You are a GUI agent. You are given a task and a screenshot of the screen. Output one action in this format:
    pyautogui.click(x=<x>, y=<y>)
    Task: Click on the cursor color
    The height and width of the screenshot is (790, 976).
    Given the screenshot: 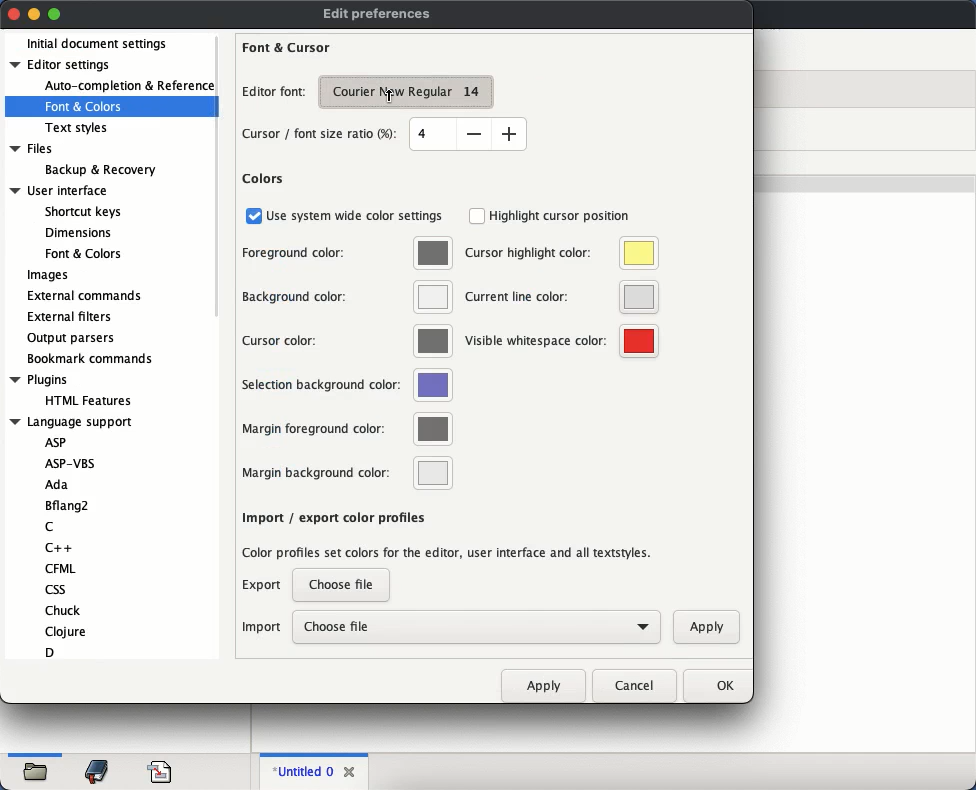 What is the action you would take?
    pyautogui.click(x=347, y=341)
    